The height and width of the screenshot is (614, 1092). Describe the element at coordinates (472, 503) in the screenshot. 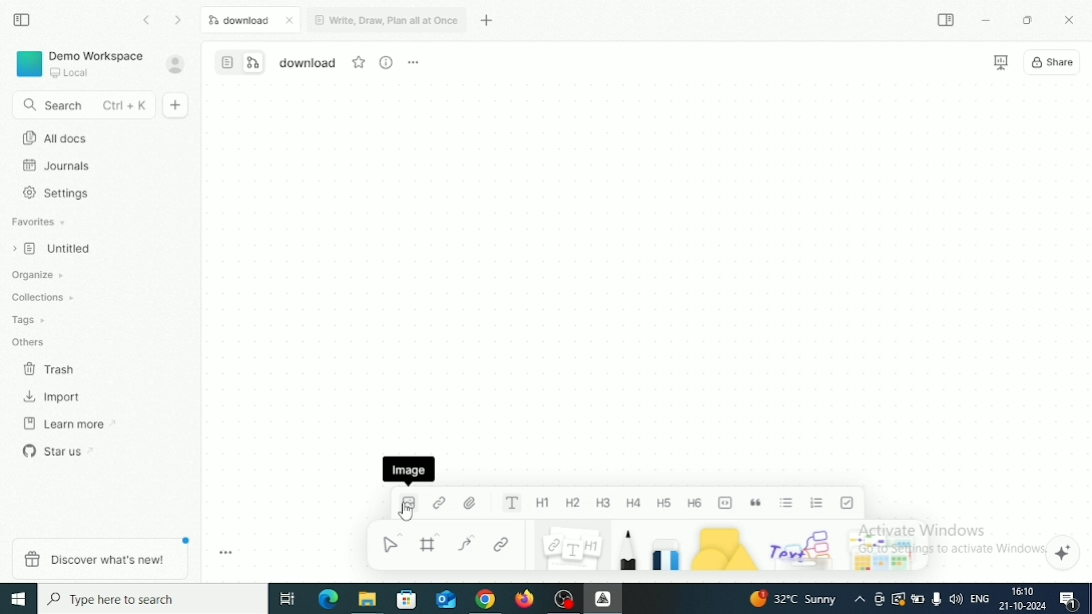

I see `File` at that location.